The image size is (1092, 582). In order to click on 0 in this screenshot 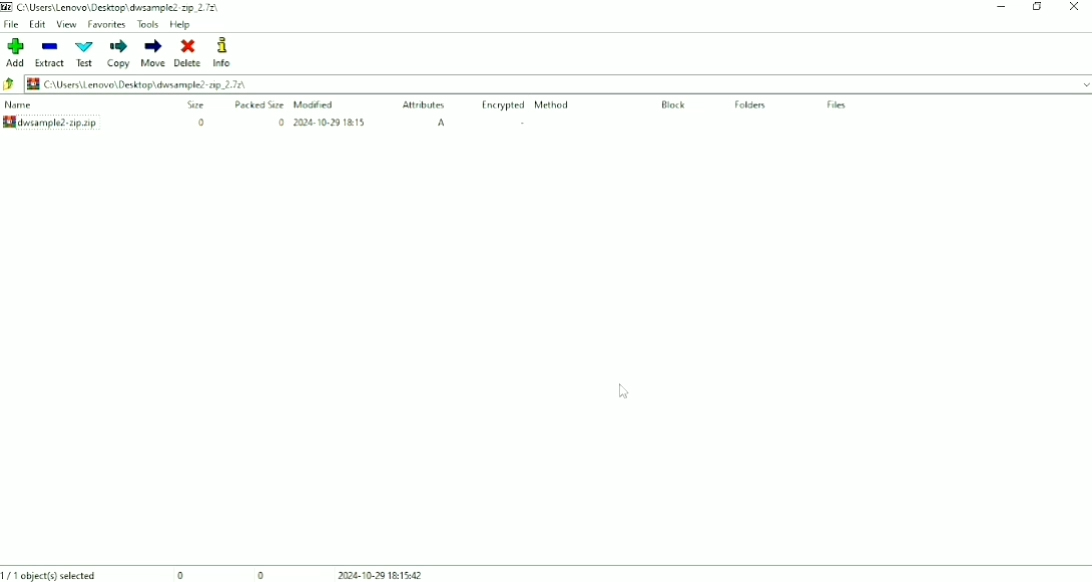, I will do `click(199, 122)`.